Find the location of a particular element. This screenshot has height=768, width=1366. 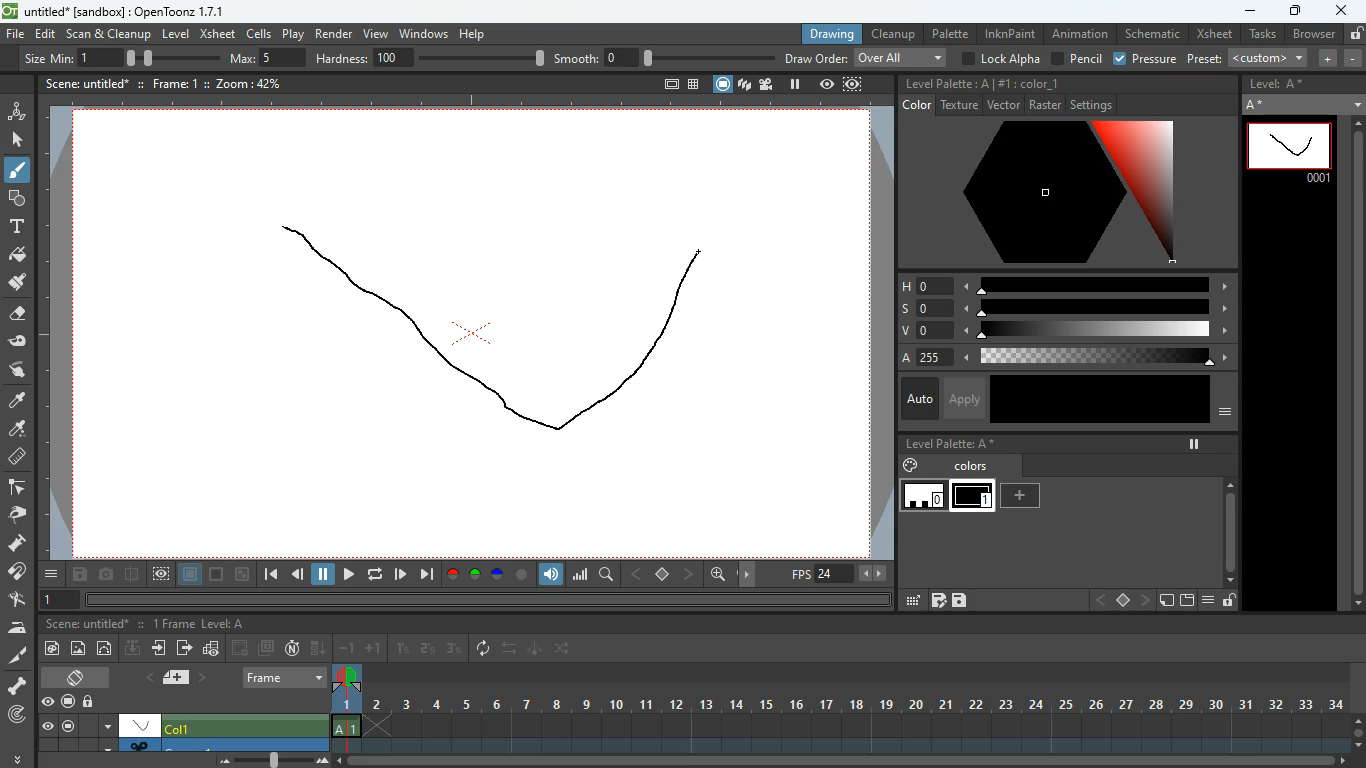

xsheet is located at coordinates (1213, 34).